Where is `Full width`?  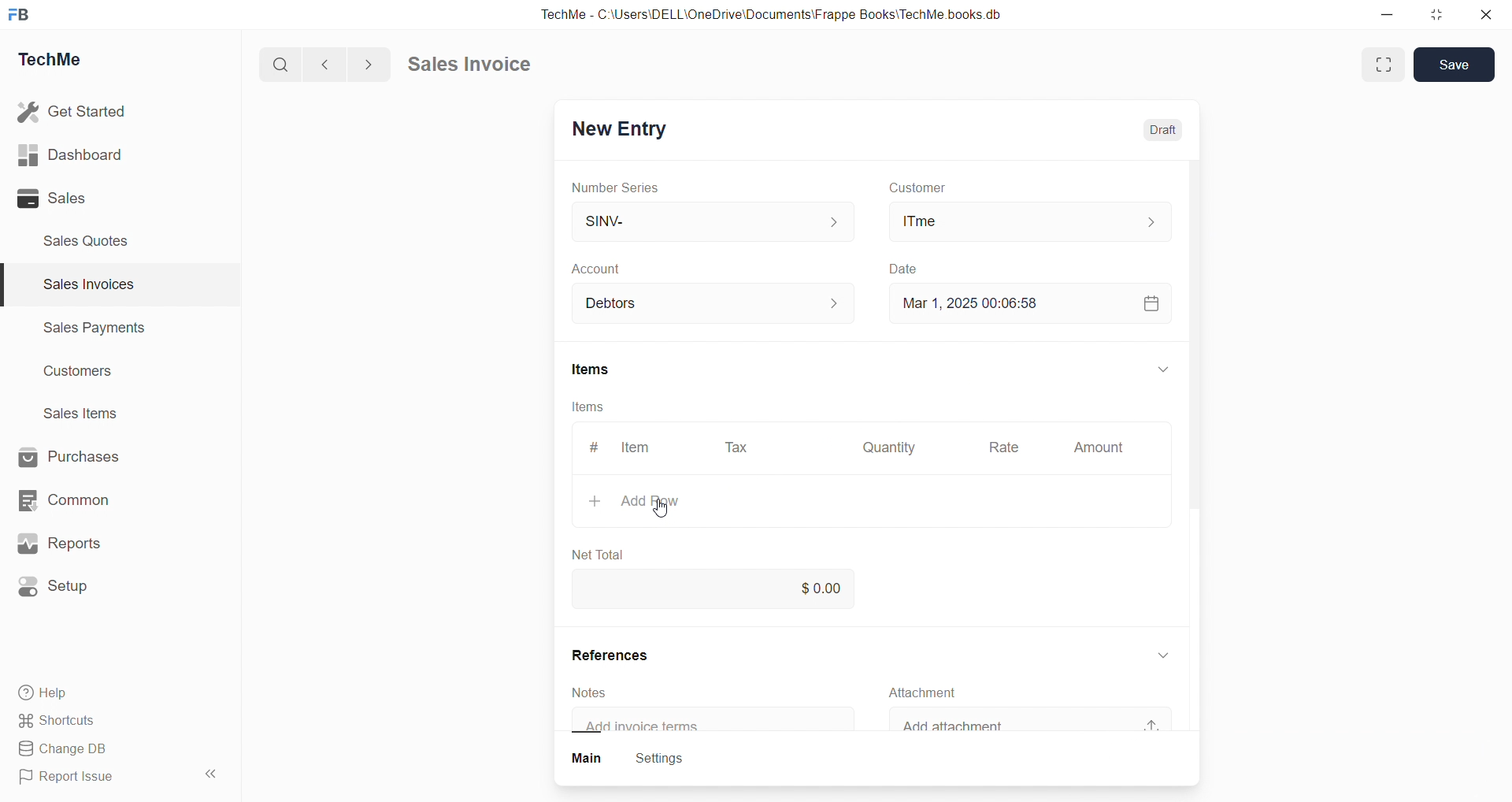 Full width is located at coordinates (1381, 64).